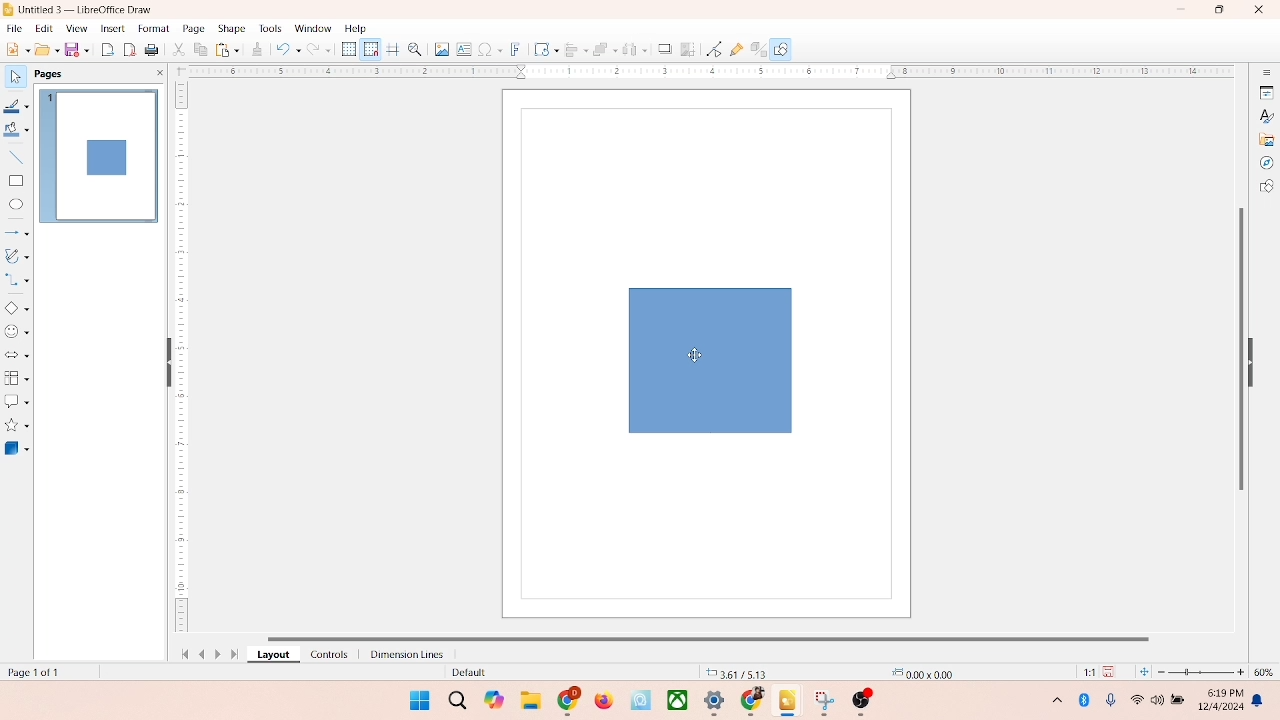  What do you see at coordinates (414, 48) in the screenshot?
I see `zoom and pan` at bounding box center [414, 48].